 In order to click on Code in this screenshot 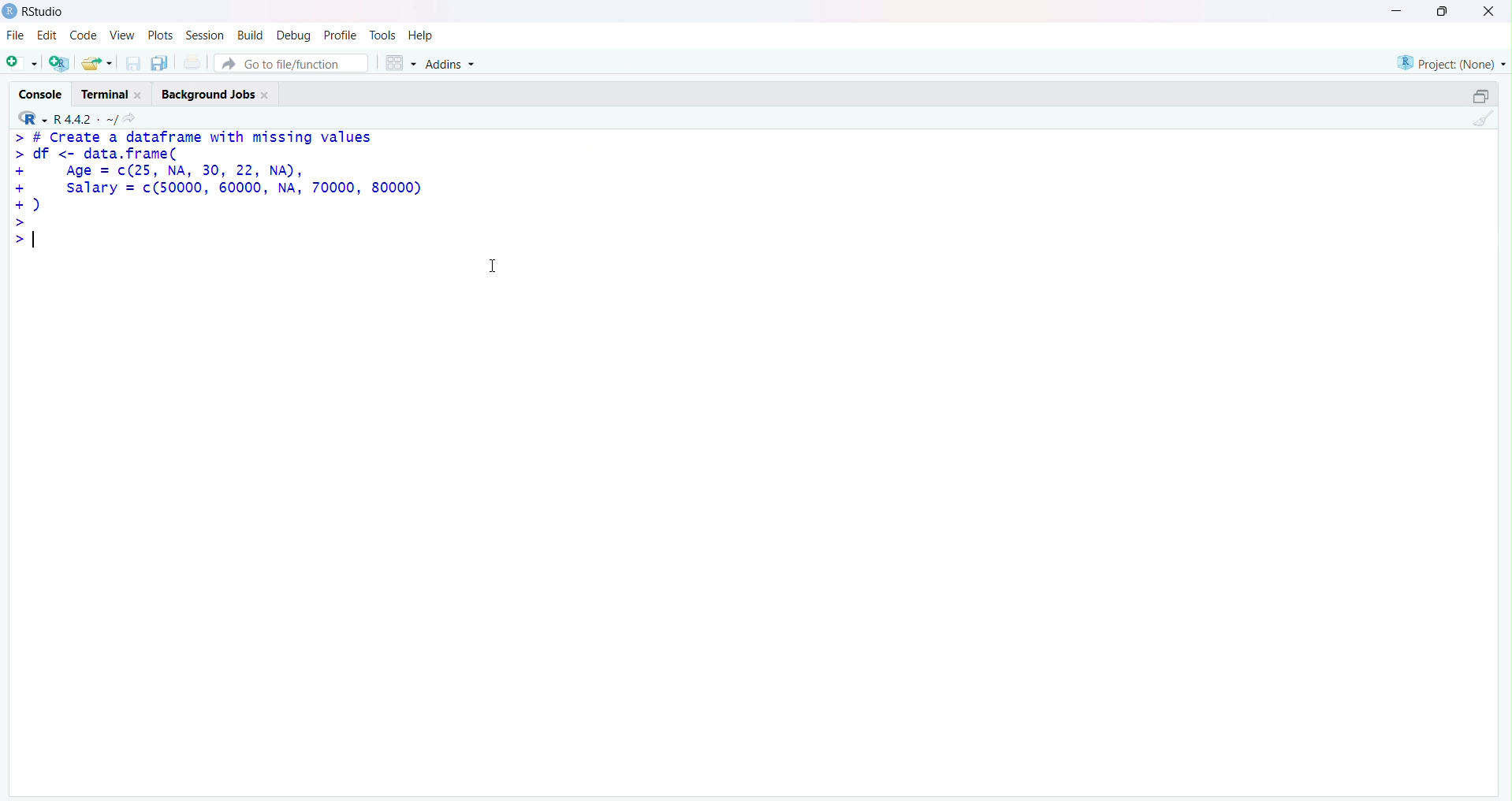, I will do `click(84, 36)`.